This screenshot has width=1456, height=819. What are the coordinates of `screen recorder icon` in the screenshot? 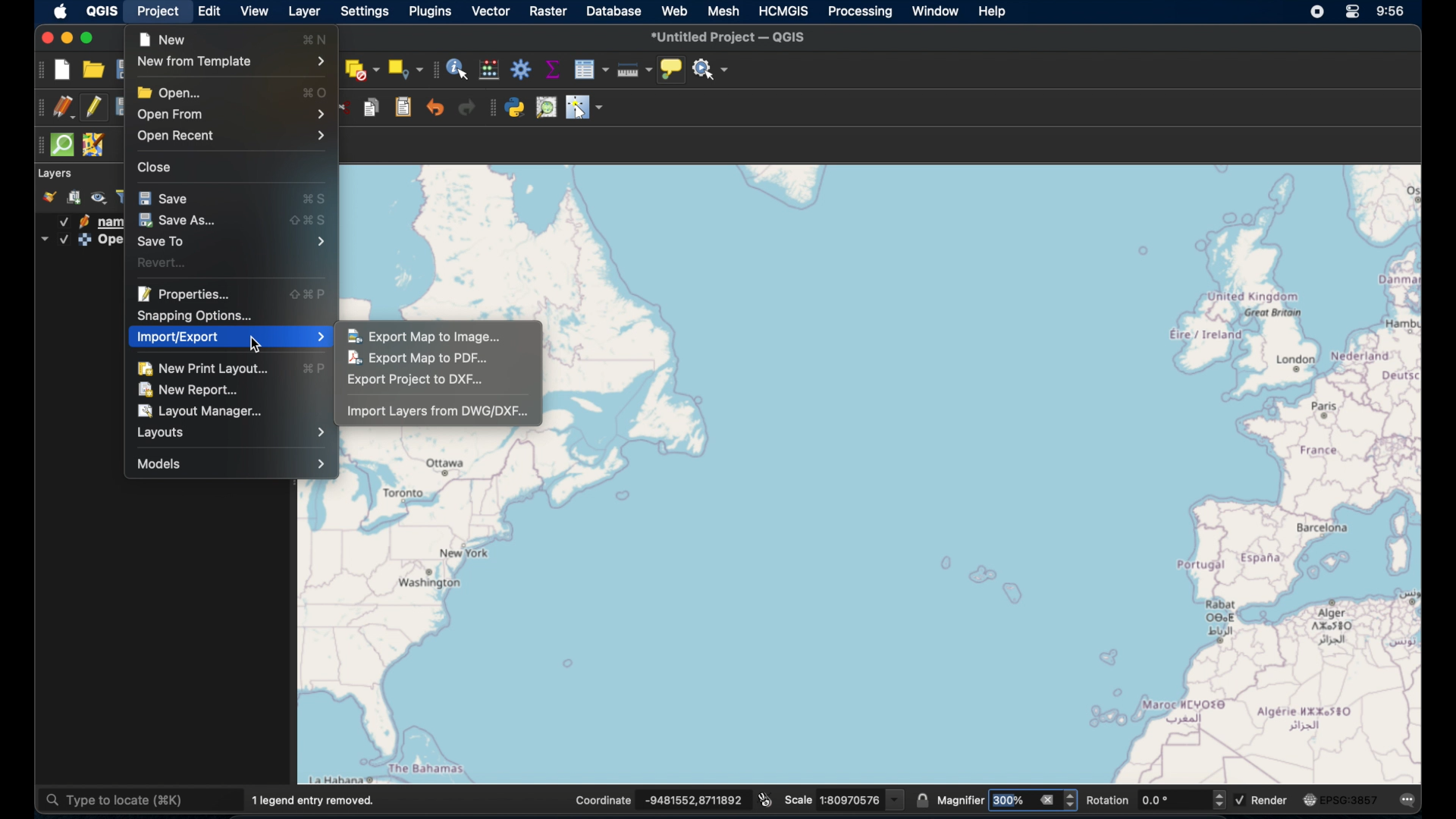 It's located at (1316, 13).